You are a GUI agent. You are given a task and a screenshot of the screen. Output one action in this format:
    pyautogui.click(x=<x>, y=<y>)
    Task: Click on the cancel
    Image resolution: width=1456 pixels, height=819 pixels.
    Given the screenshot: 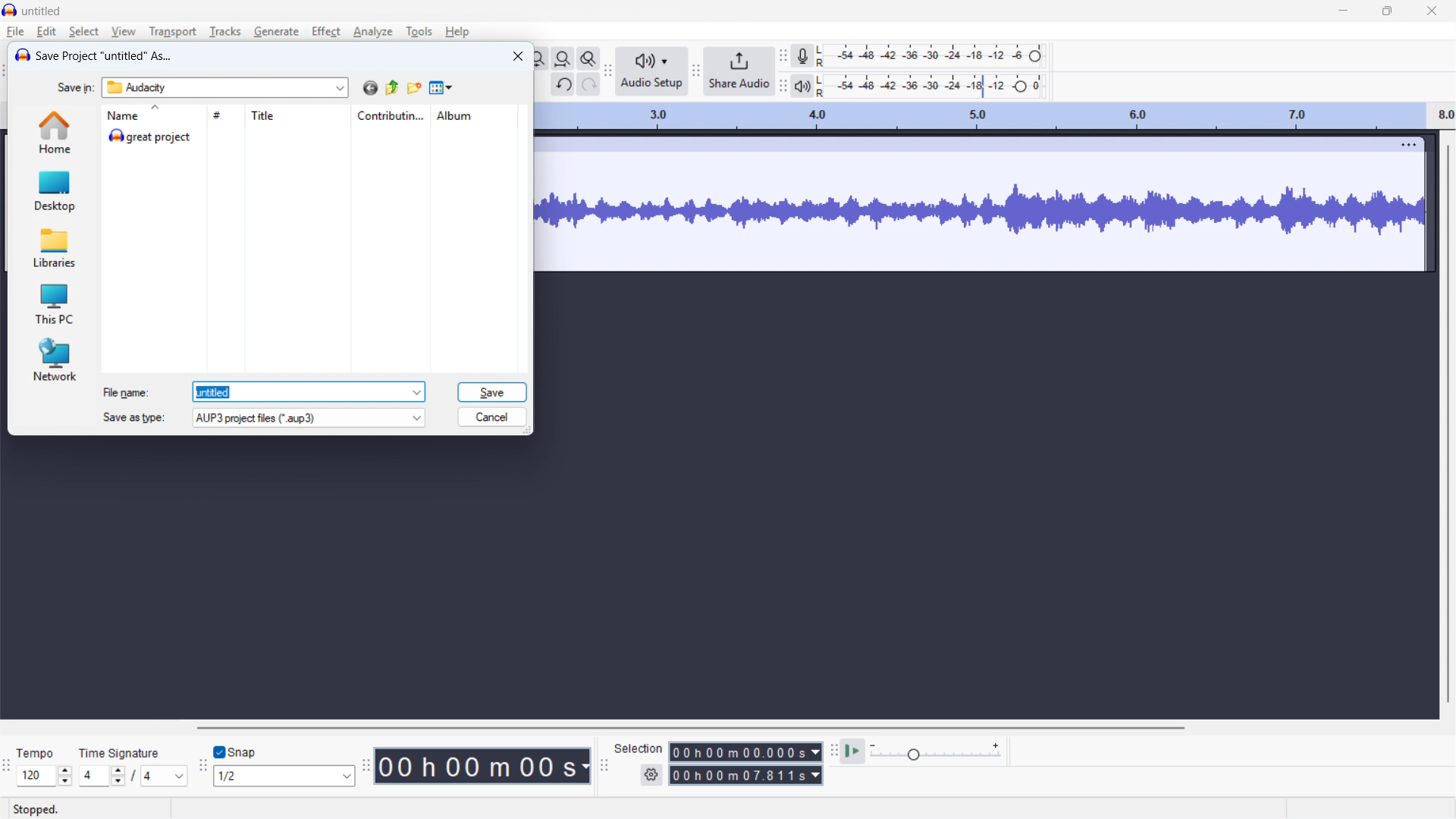 What is the action you would take?
    pyautogui.click(x=493, y=417)
    